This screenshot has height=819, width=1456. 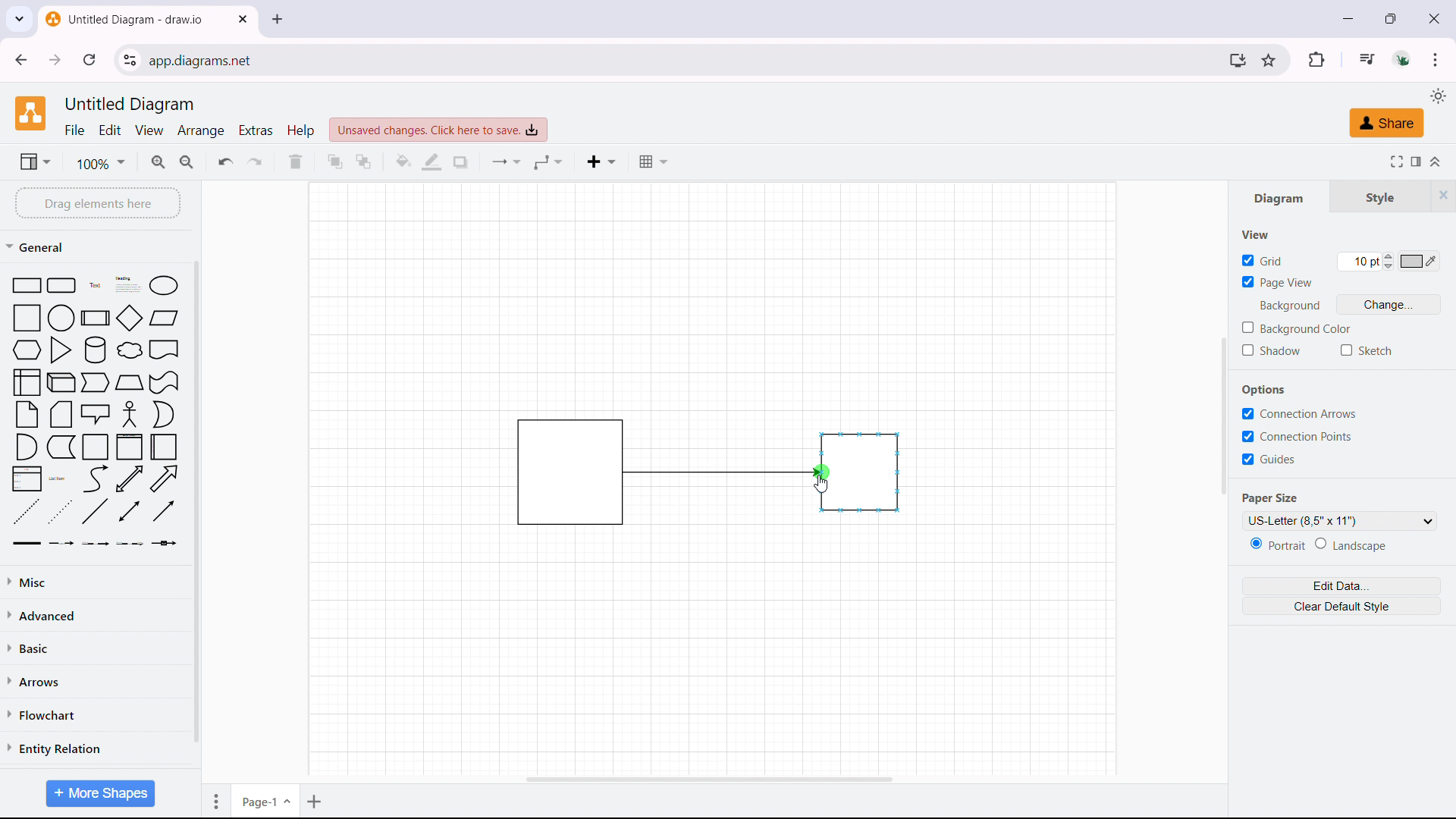 What do you see at coordinates (97, 202) in the screenshot?
I see `drag elements here` at bounding box center [97, 202].